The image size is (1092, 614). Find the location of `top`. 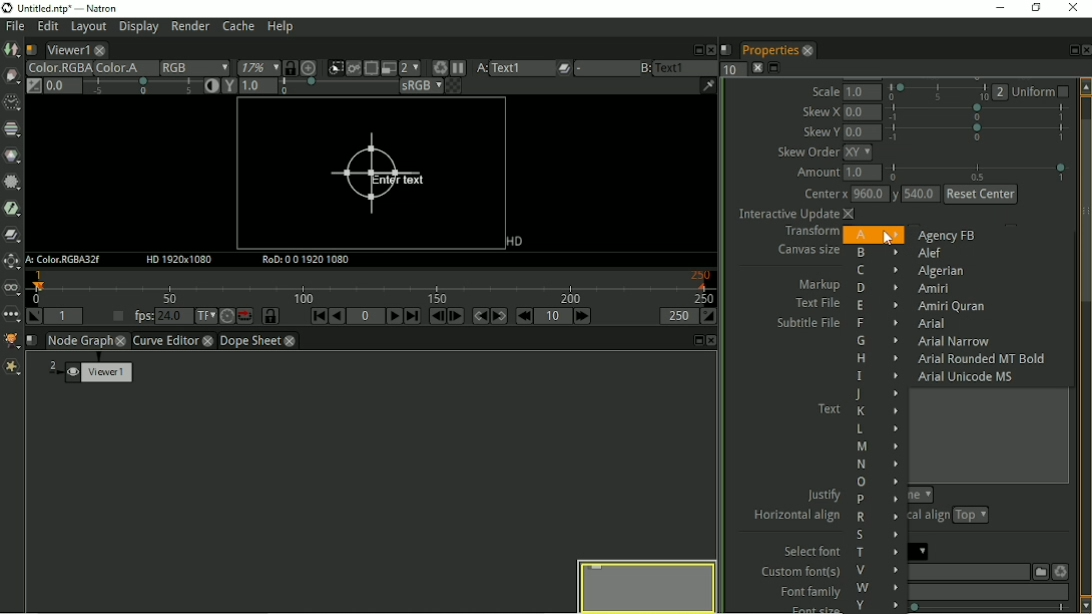

top is located at coordinates (971, 516).